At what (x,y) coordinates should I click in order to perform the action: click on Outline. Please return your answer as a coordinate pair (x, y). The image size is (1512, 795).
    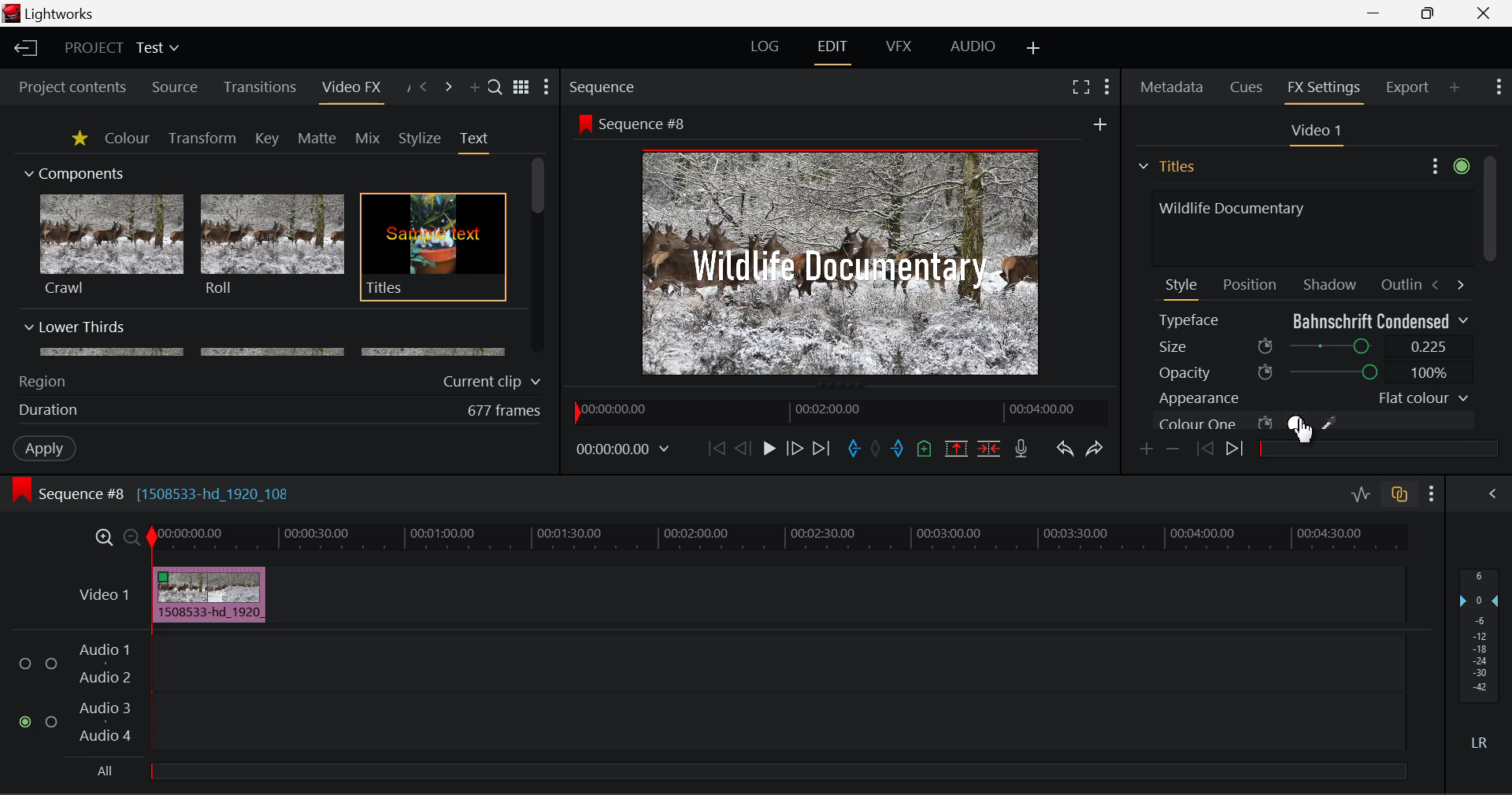
    Looking at the image, I should click on (1399, 283).